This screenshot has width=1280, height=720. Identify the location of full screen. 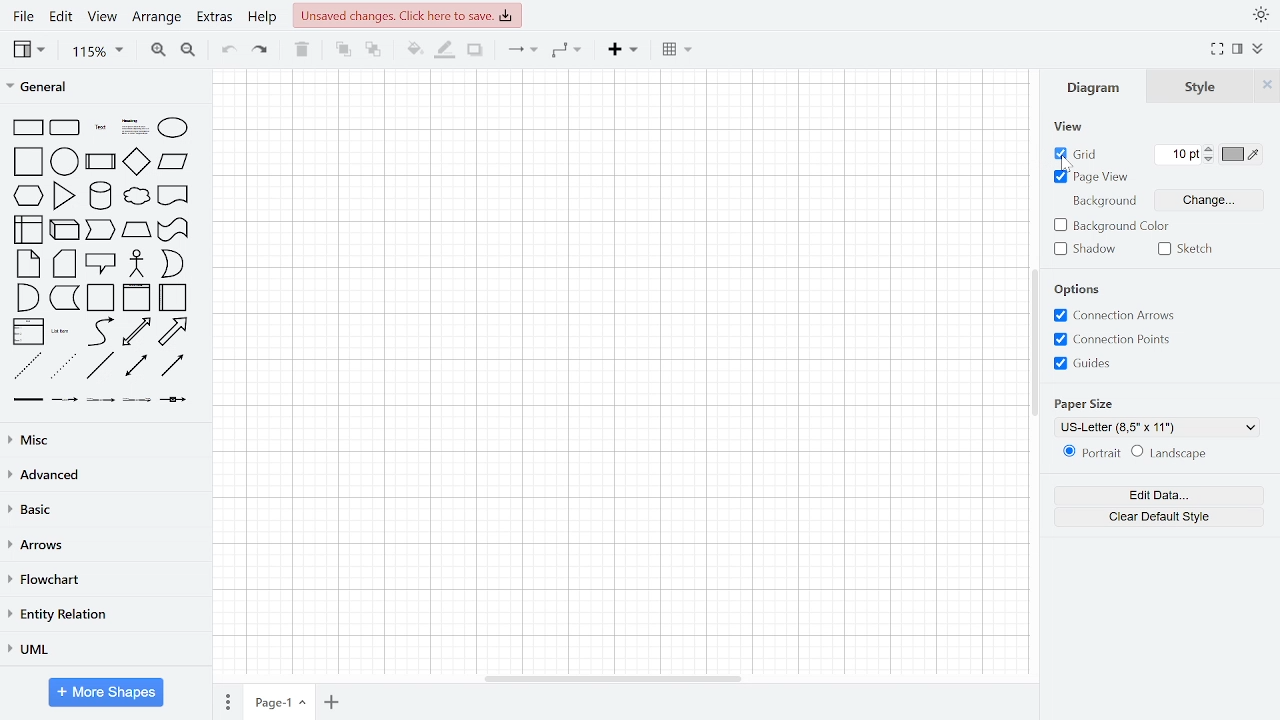
(1218, 50).